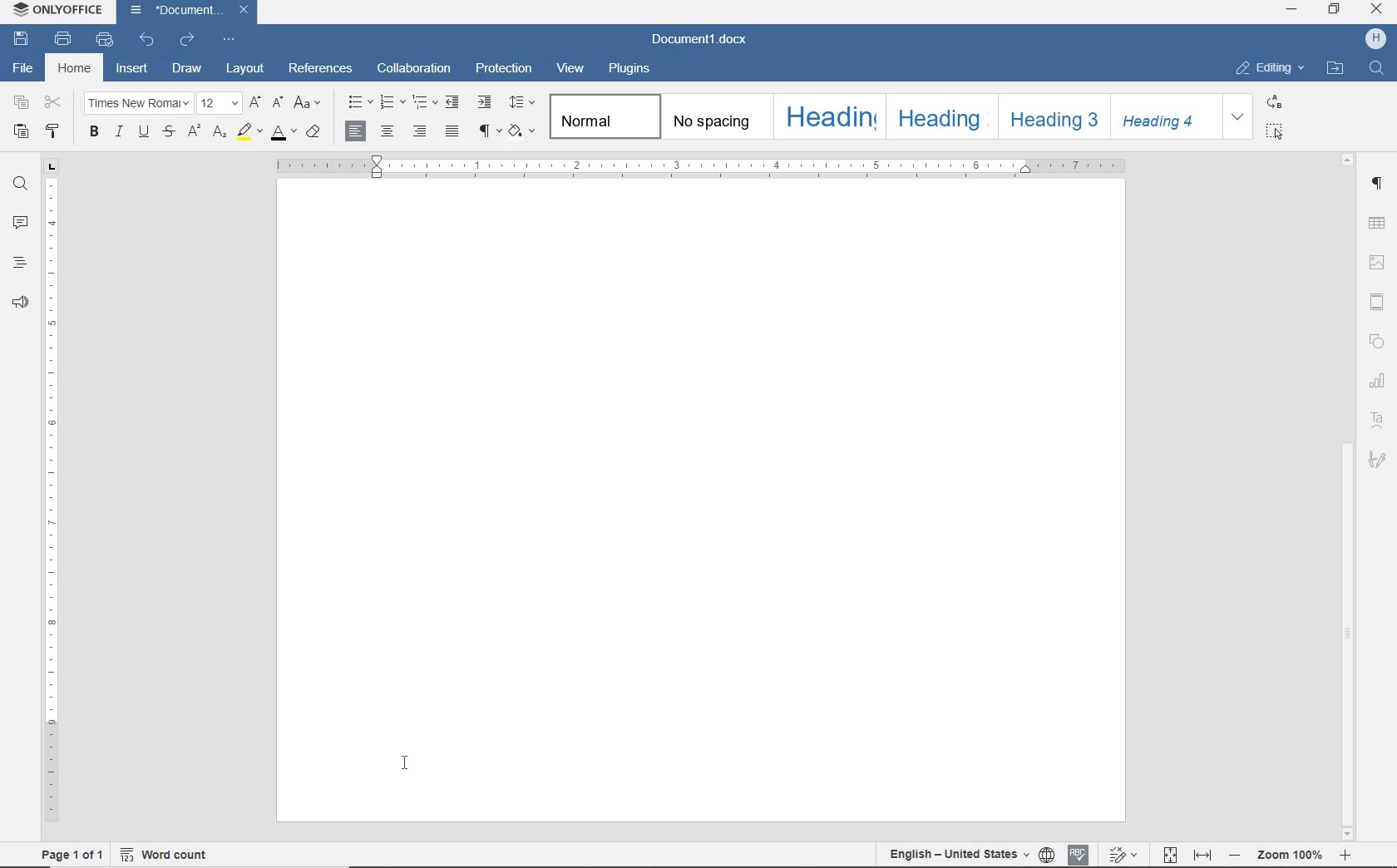 This screenshot has height=868, width=1397. I want to click on SUBSCRIPT, so click(220, 132).